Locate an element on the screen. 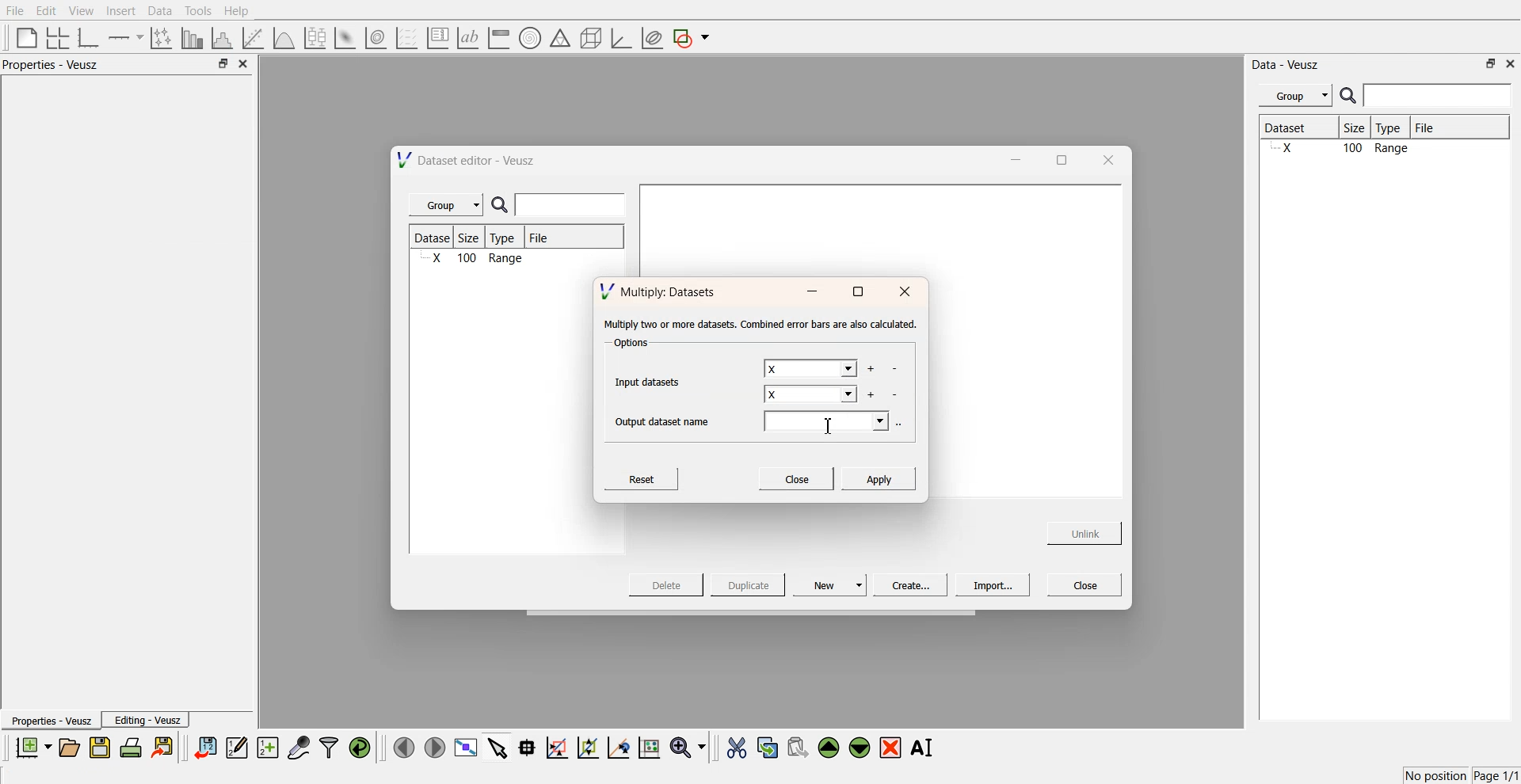 The image size is (1521, 784). reset the graph axes is located at coordinates (649, 748).